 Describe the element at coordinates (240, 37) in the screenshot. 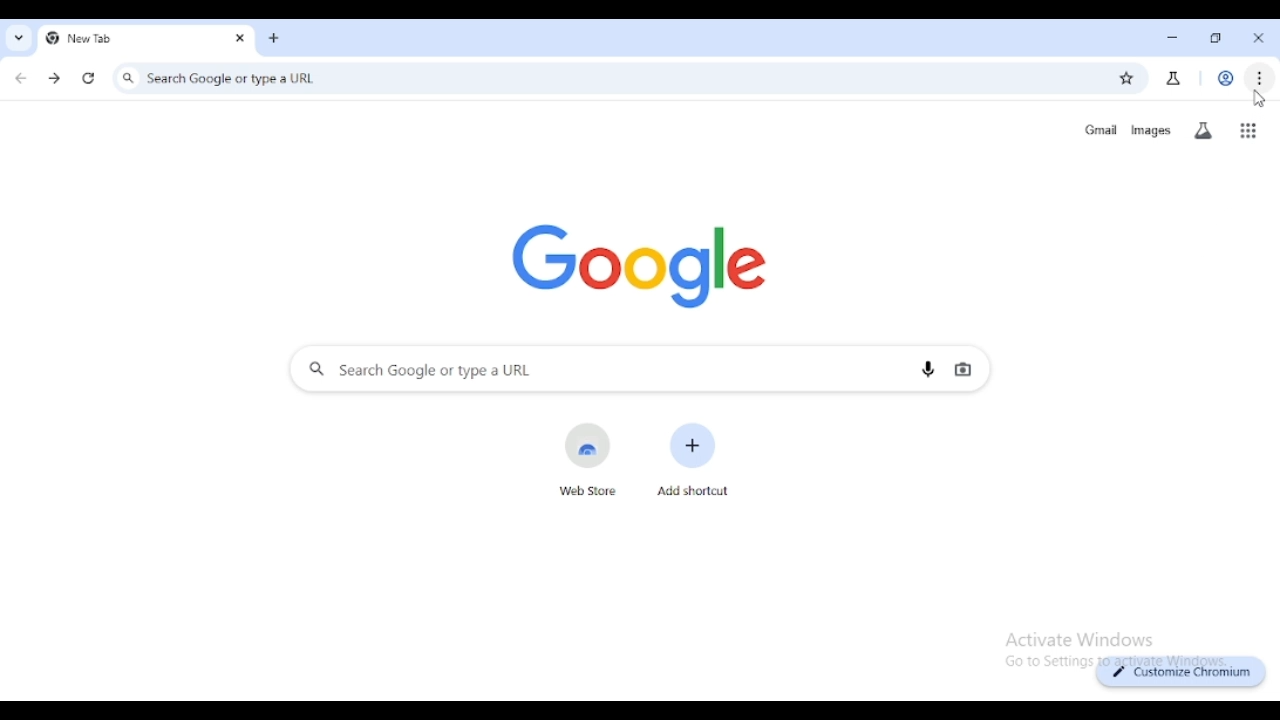

I see `close tab` at that location.